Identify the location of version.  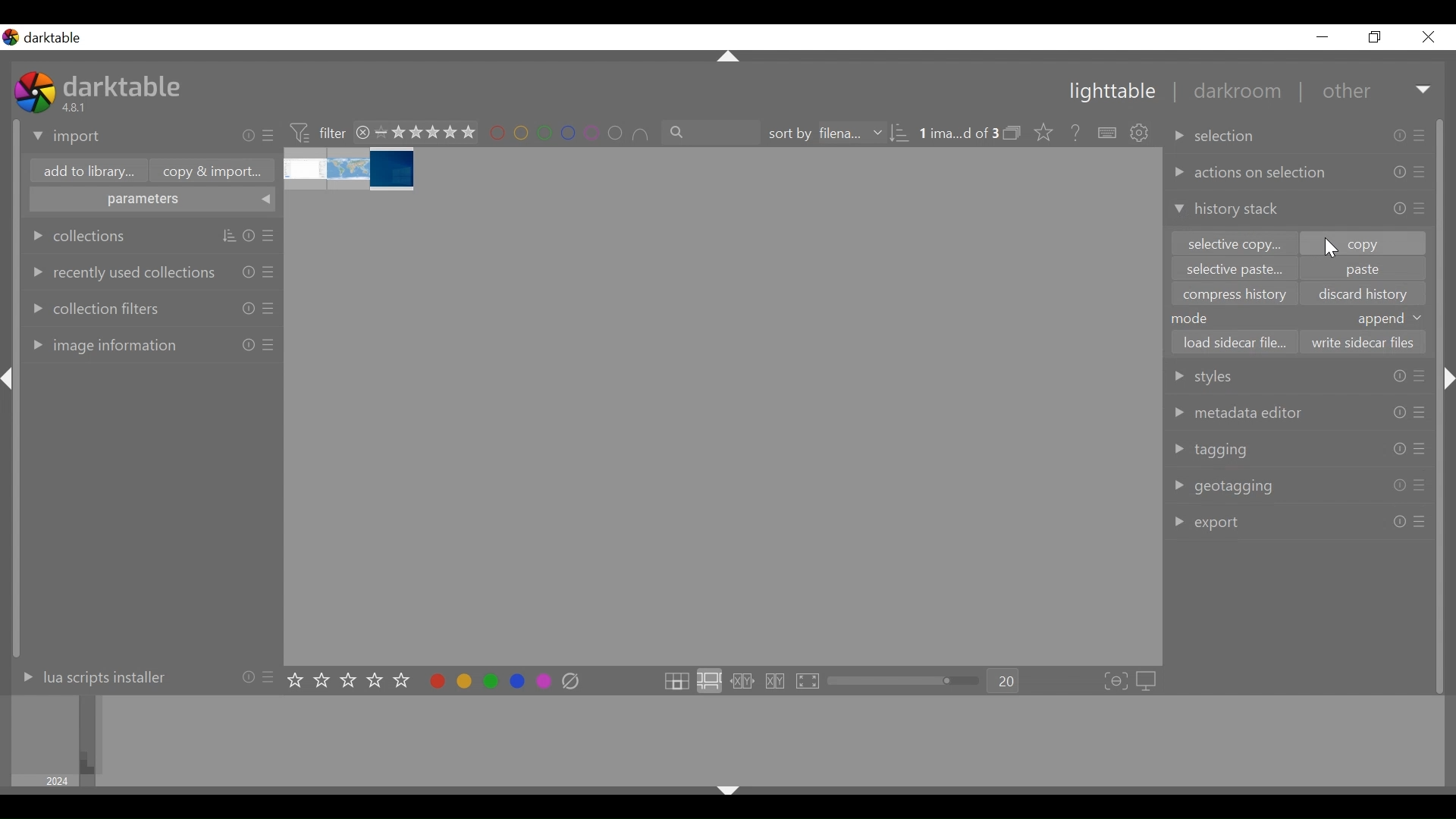
(77, 107).